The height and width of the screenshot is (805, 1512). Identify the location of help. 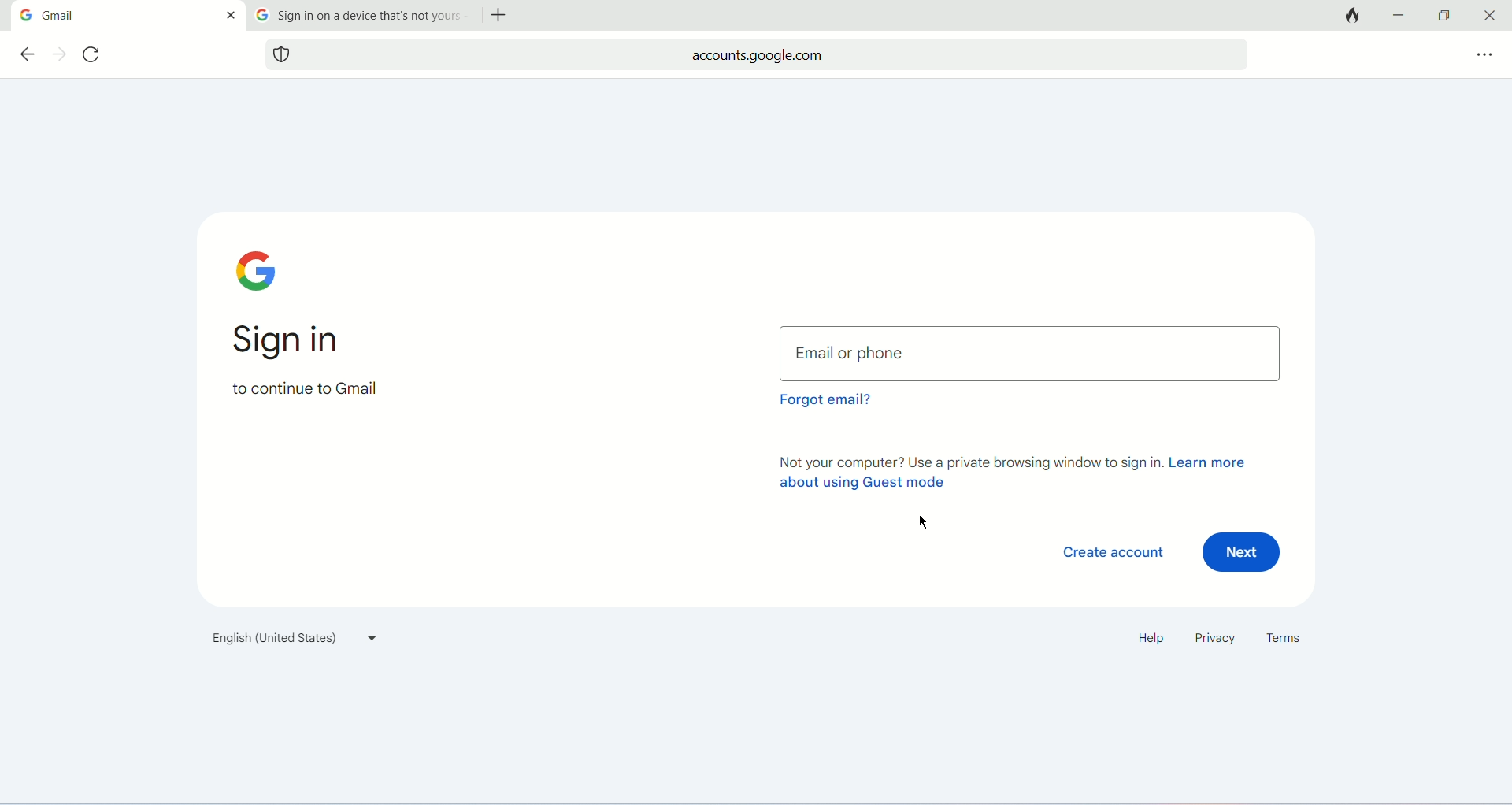
(1147, 639).